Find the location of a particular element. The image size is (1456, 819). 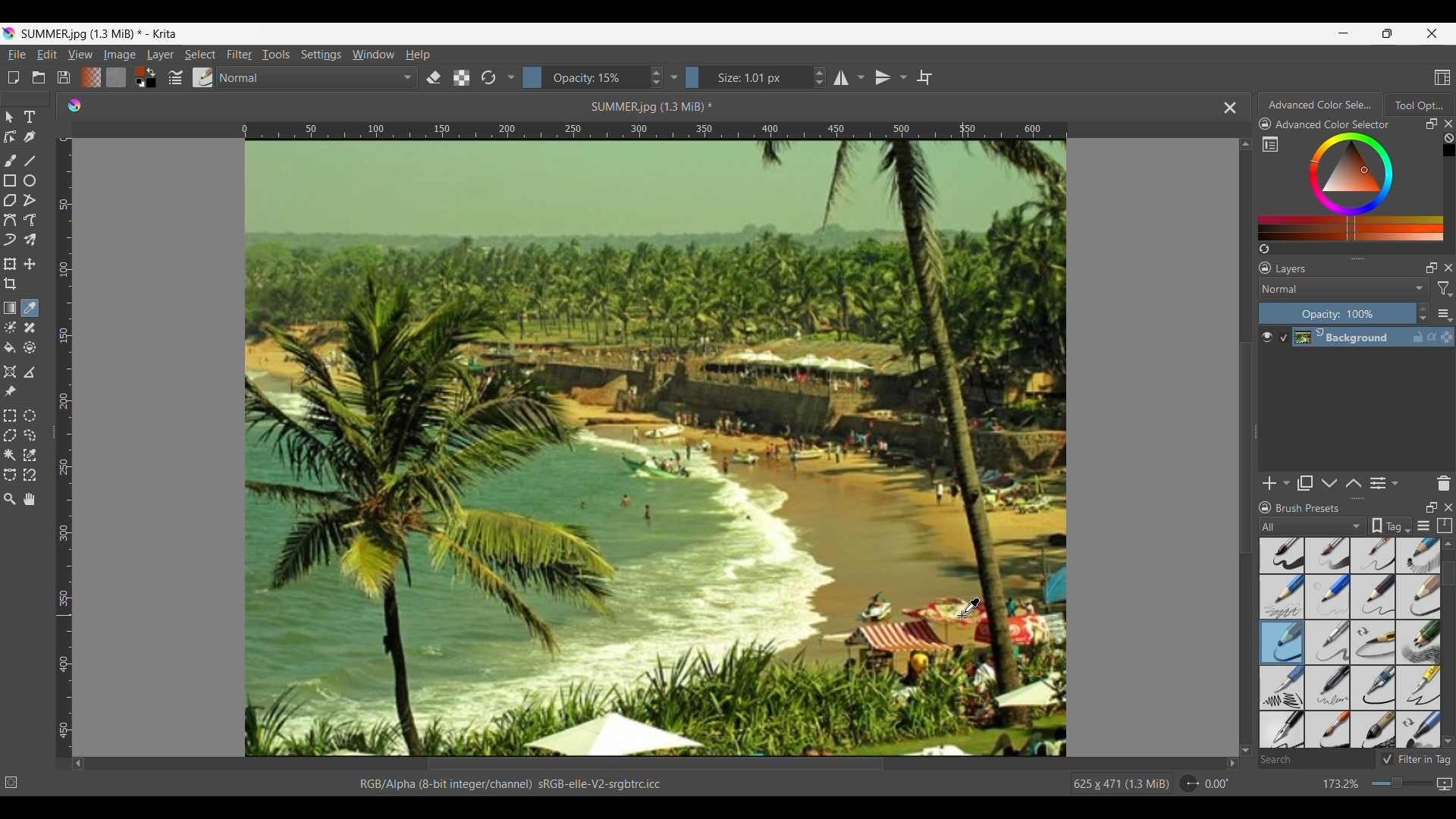

Quick slide to bottom is located at coordinates (1448, 742).